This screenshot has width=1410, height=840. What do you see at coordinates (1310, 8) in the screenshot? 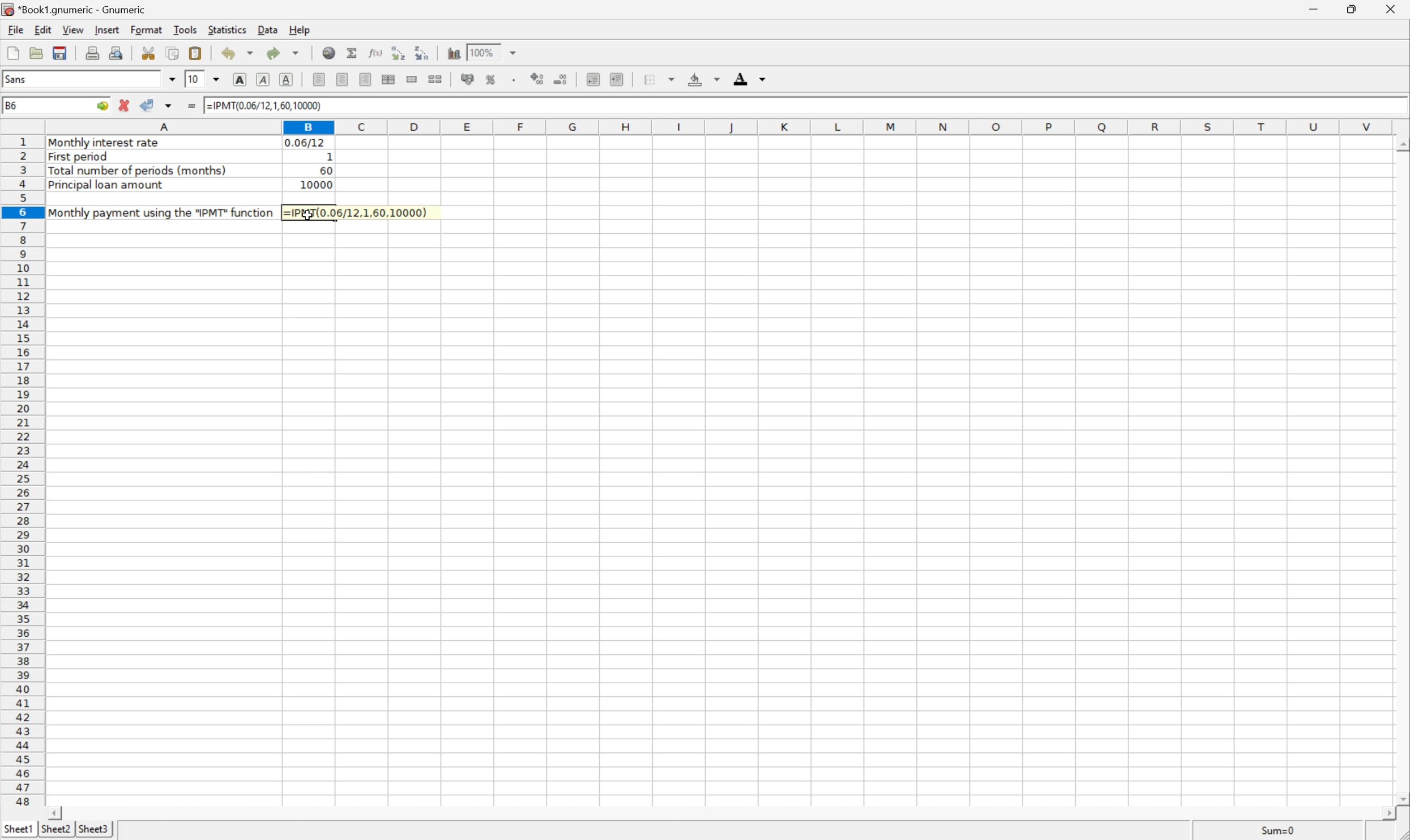
I see `Minimize` at bounding box center [1310, 8].